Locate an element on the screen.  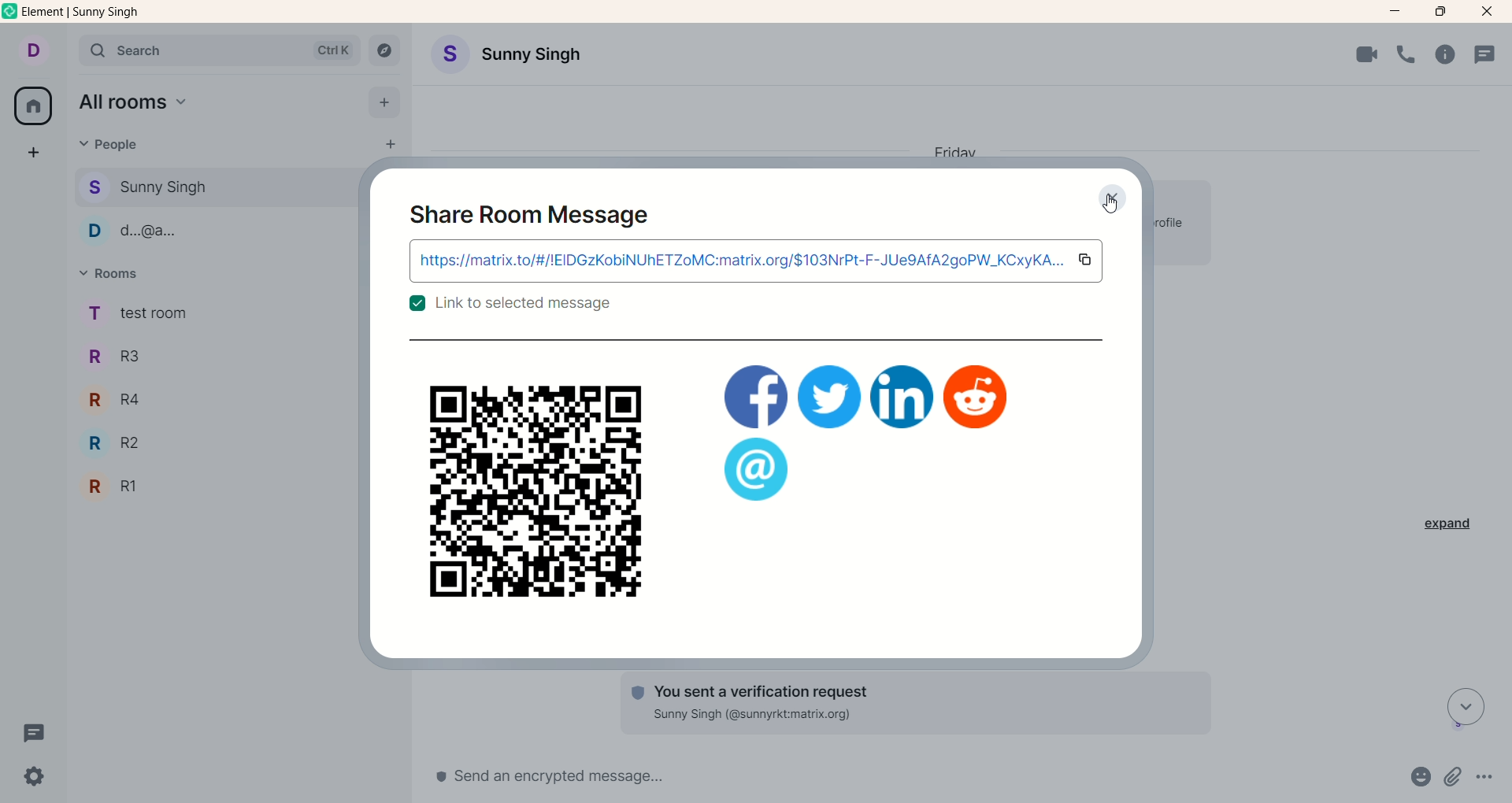
Close is located at coordinates (1115, 192).